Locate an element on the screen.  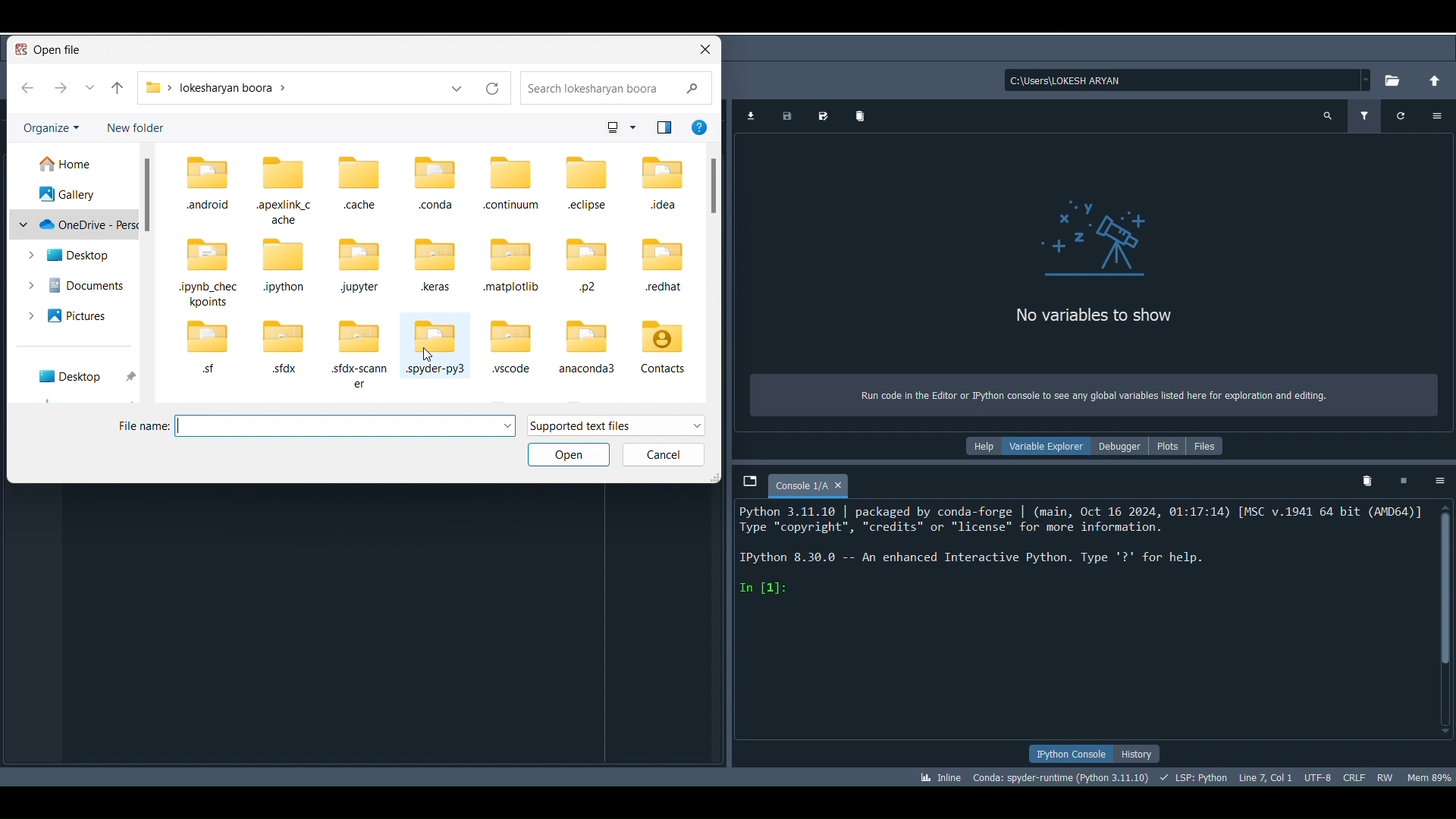
IPython console is located at coordinates (1060, 754).